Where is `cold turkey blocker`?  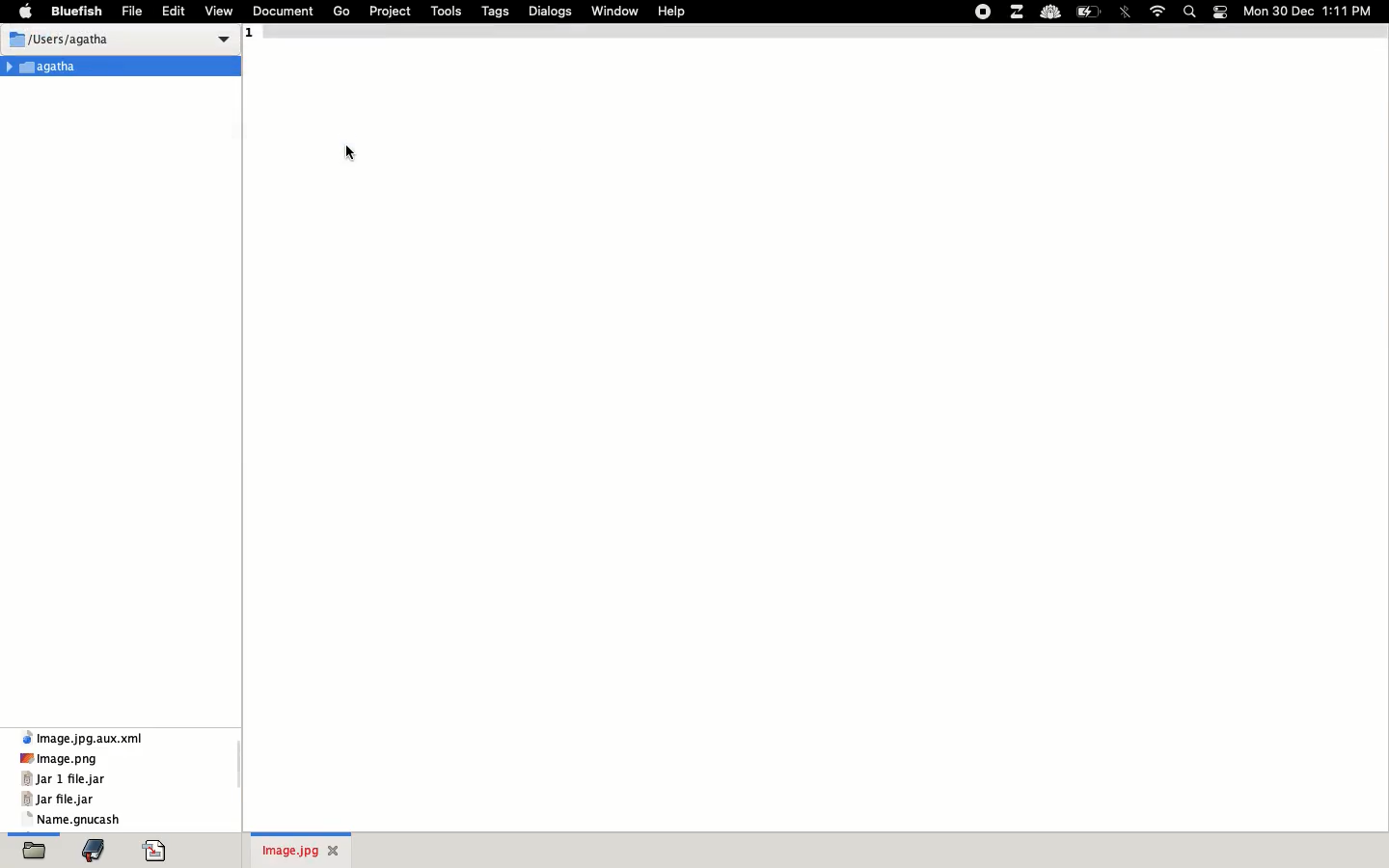
cold turkey blocker is located at coordinates (1052, 13).